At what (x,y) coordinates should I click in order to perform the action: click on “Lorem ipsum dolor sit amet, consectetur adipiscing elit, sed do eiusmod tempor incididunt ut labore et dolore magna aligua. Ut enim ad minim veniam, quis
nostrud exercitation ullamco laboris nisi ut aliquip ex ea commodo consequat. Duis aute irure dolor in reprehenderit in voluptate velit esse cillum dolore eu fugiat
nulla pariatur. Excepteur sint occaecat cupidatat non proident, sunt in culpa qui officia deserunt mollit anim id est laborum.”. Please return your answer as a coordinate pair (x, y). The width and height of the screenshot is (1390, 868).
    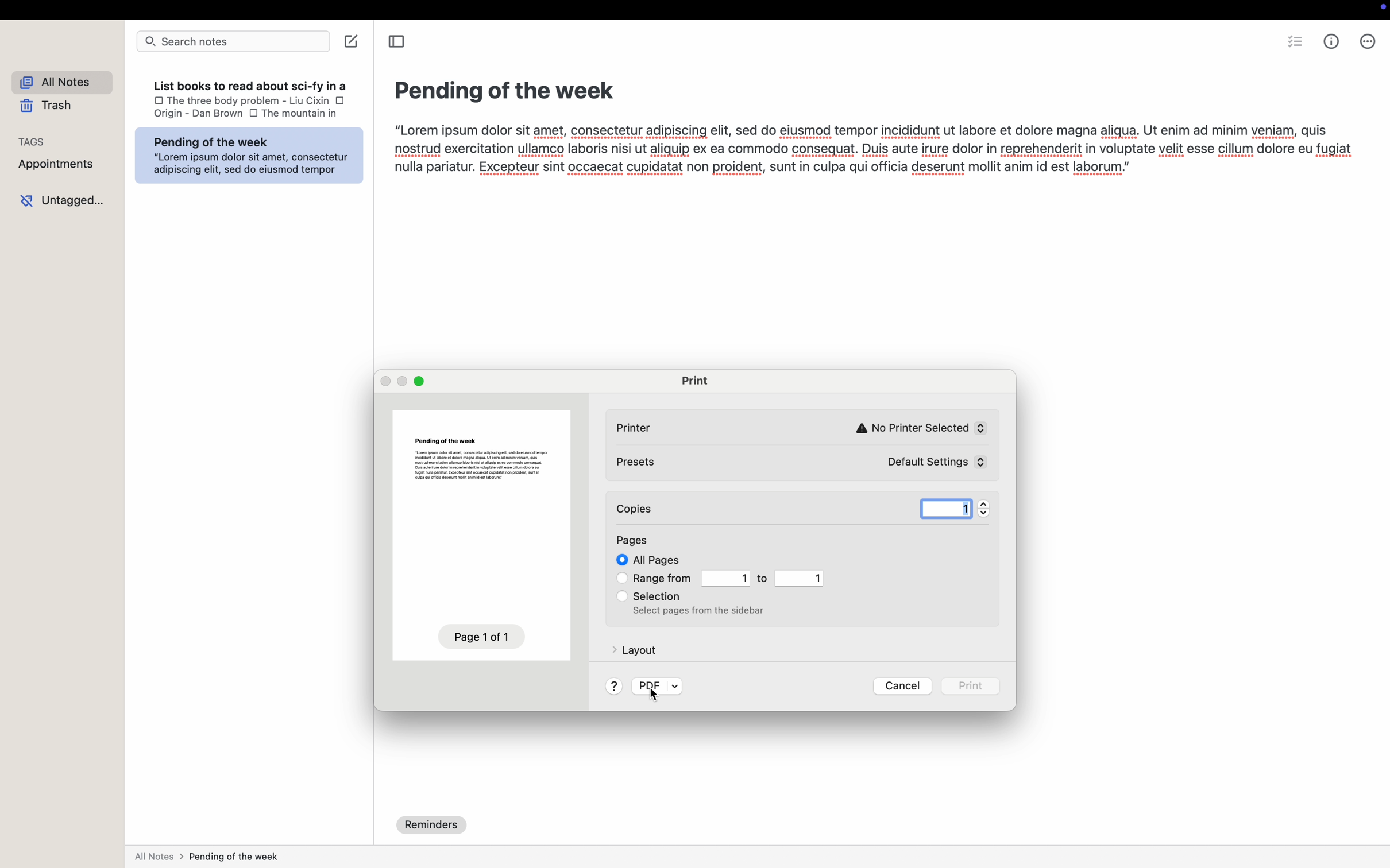
    Looking at the image, I should click on (867, 150).